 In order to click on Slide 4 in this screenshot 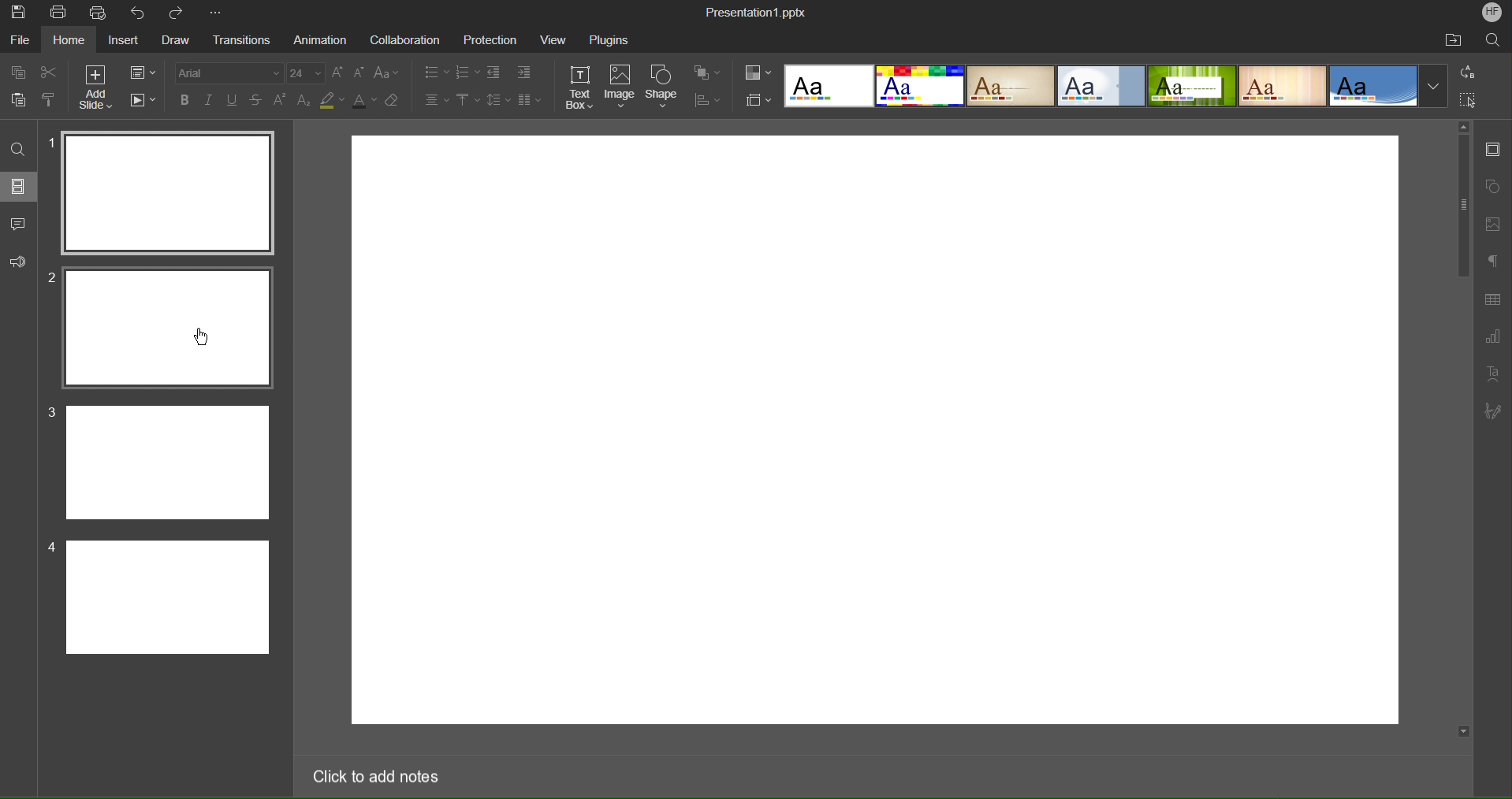, I will do `click(168, 597)`.